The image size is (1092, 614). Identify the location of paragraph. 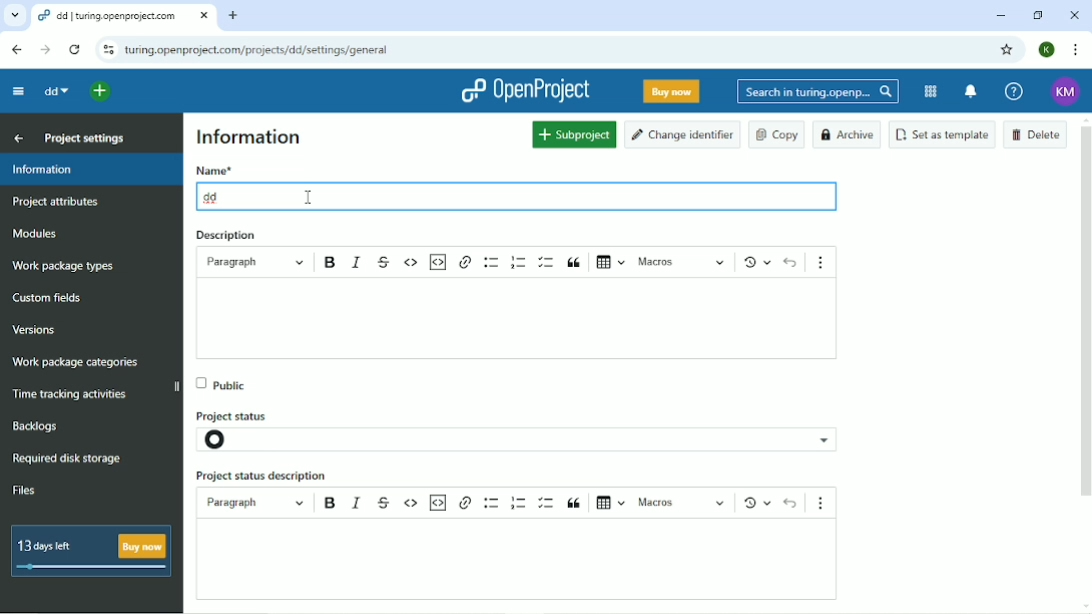
(255, 503).